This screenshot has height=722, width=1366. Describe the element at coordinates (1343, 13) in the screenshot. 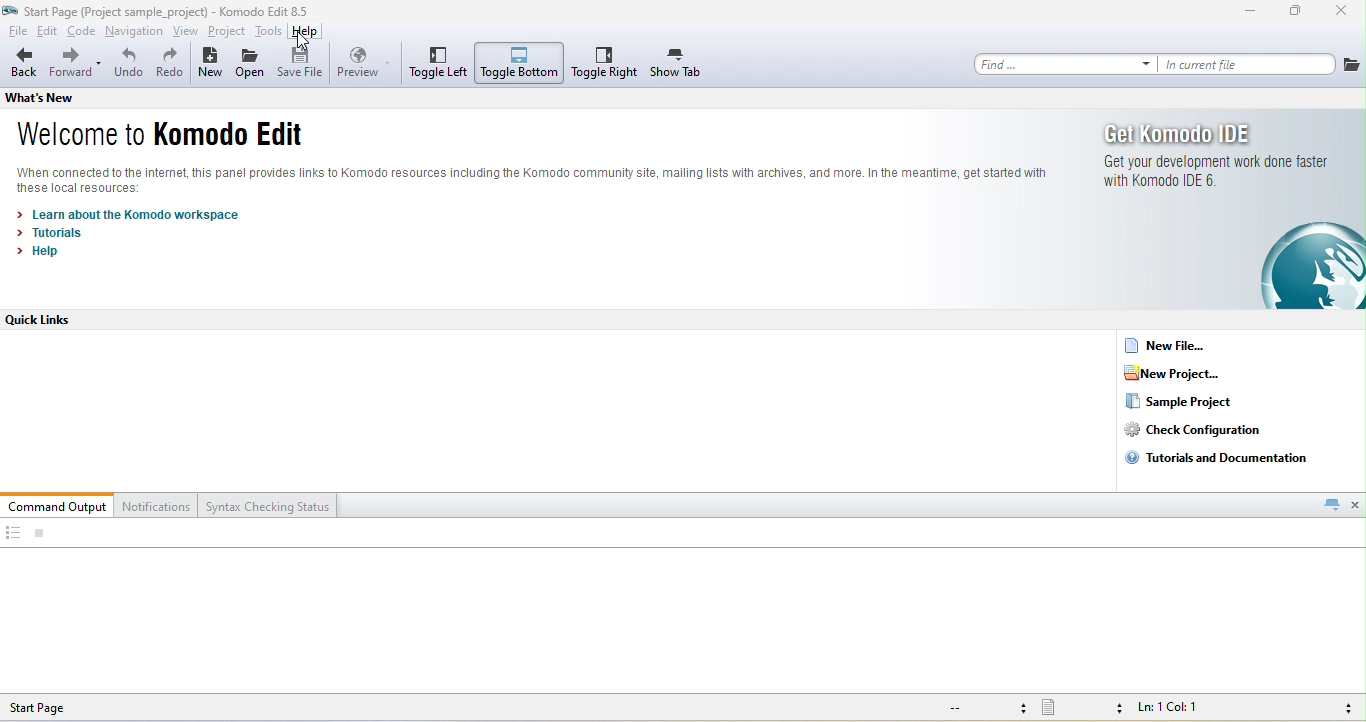

I see `close` at that location.